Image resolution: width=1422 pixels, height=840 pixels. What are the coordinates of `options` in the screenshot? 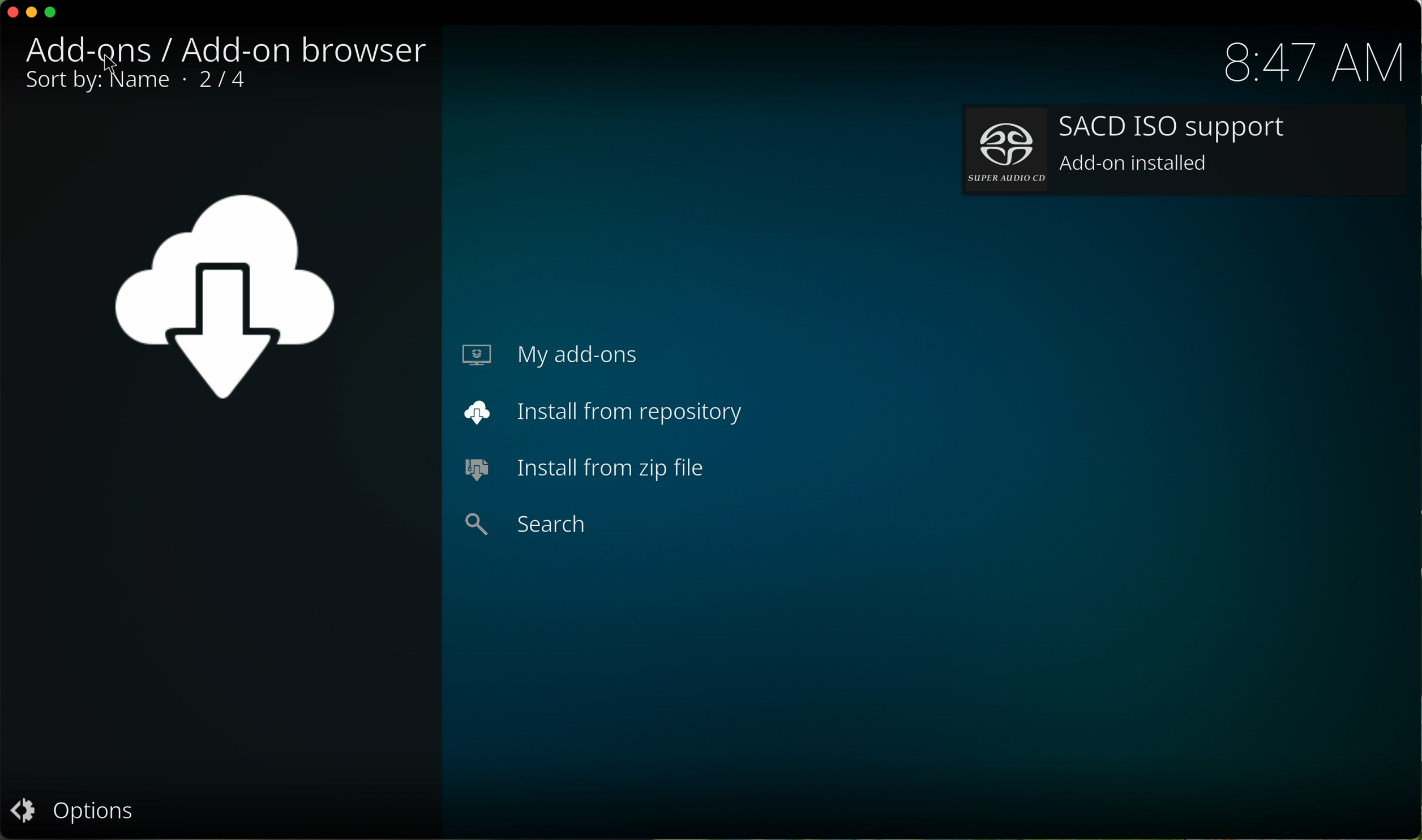 It's located at (83, 807).